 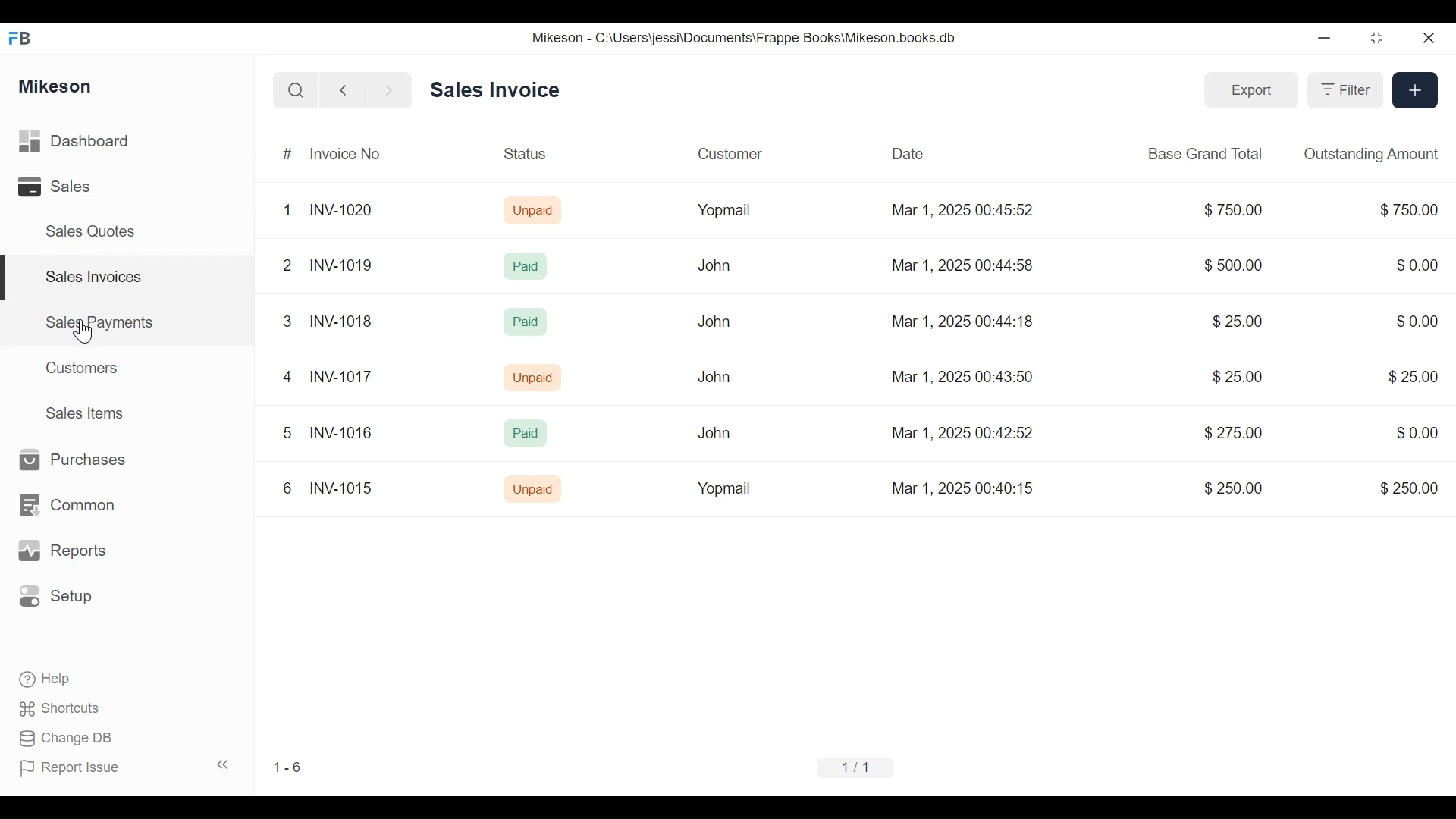 What do you see at coordinates (280, 433) in the screenshot?
I see `5` at bounding box center [280, 433].